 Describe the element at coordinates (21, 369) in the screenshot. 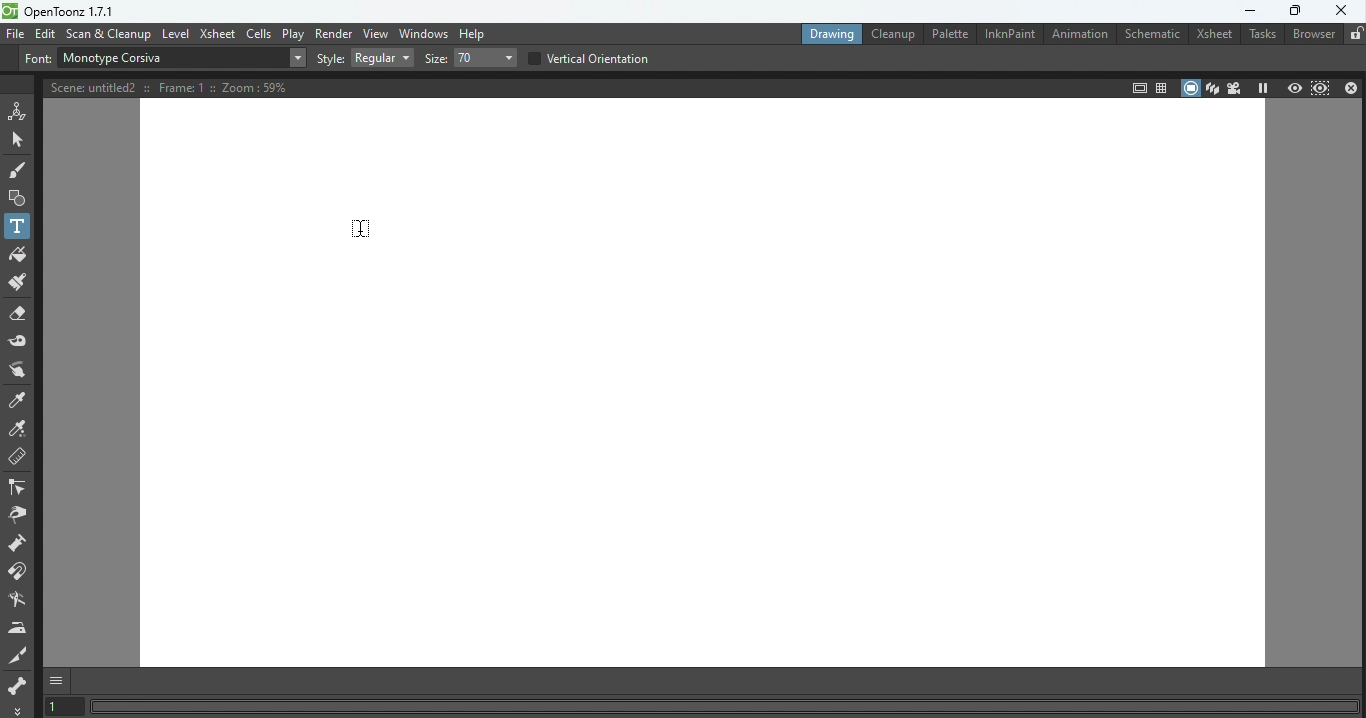

I see `Finger tool` at that location.